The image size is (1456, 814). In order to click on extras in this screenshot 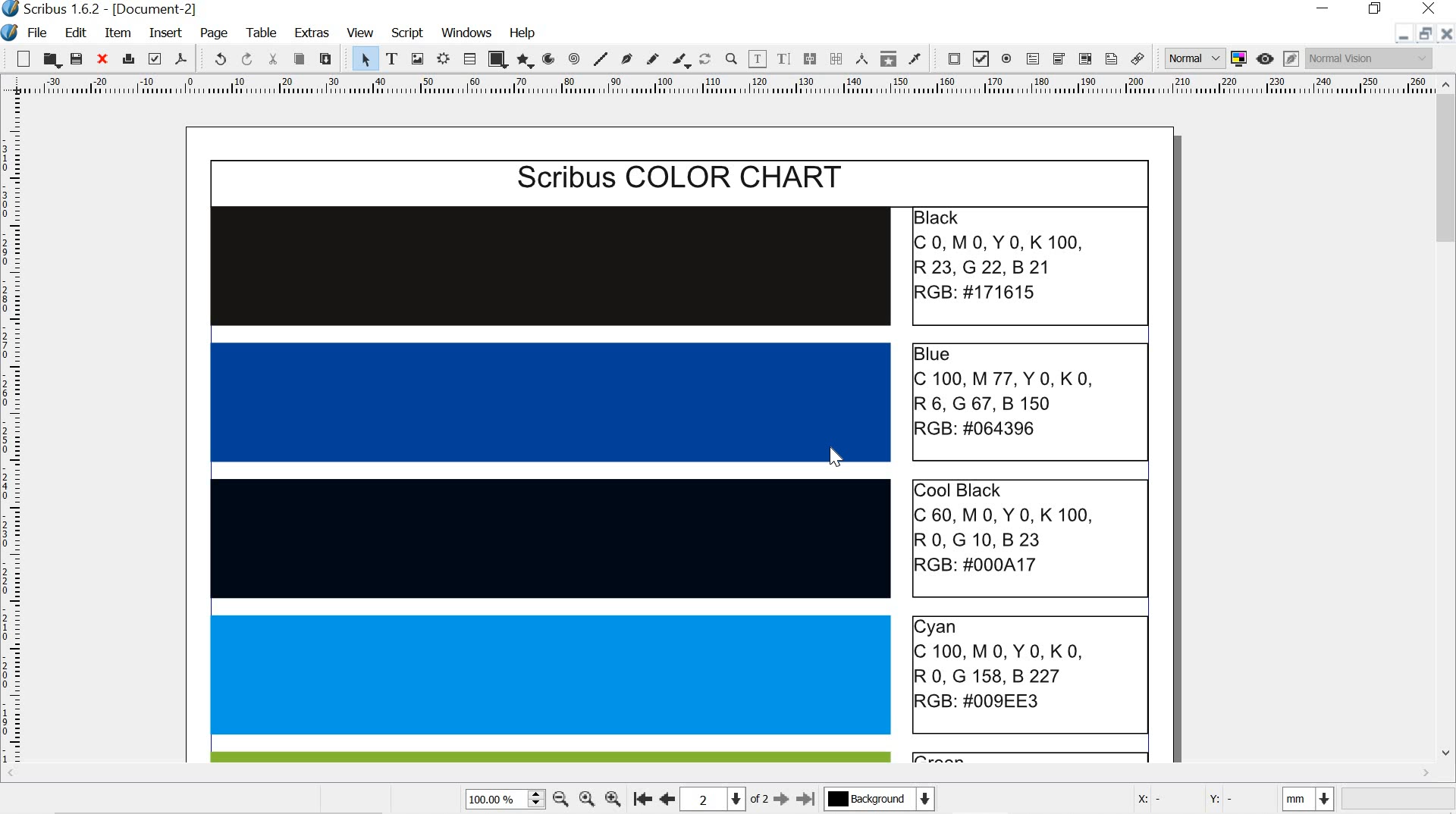, I will do `click(314, 33)`.